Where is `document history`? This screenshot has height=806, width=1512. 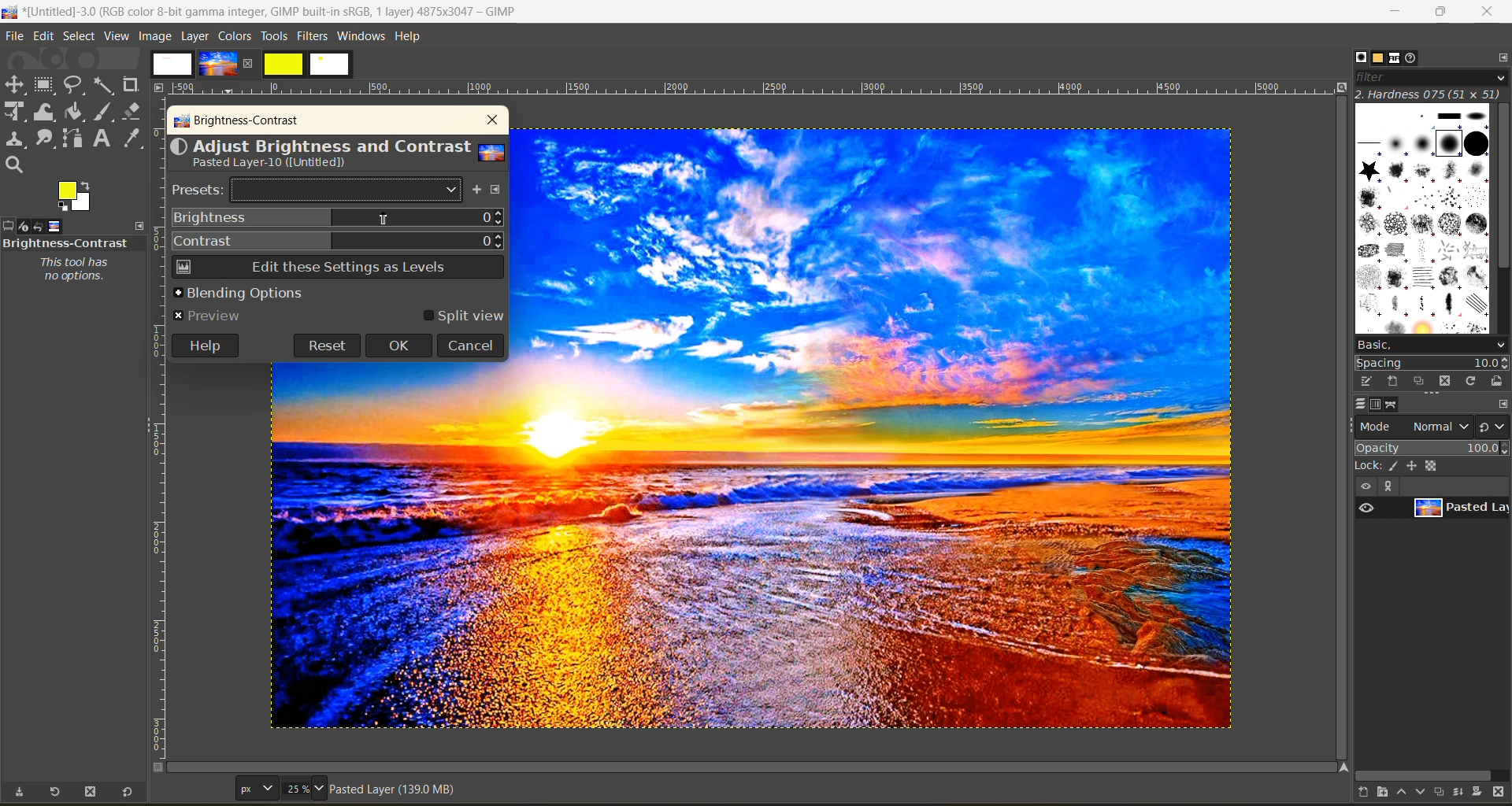 document history is located at coordinates (1414, 57).